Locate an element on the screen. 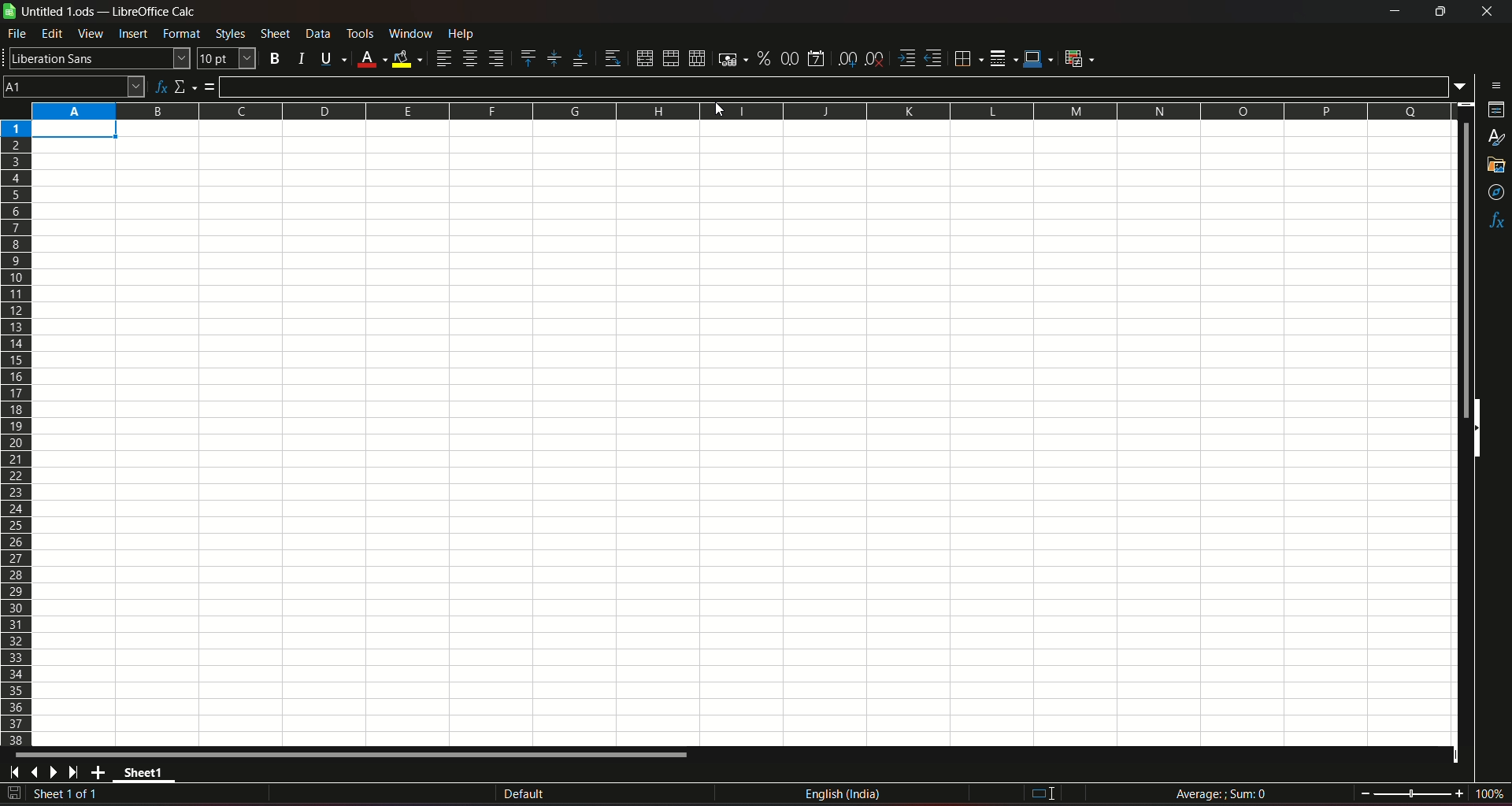 The image size is (1512, 806). formula is located at coordinates (1221, 793).